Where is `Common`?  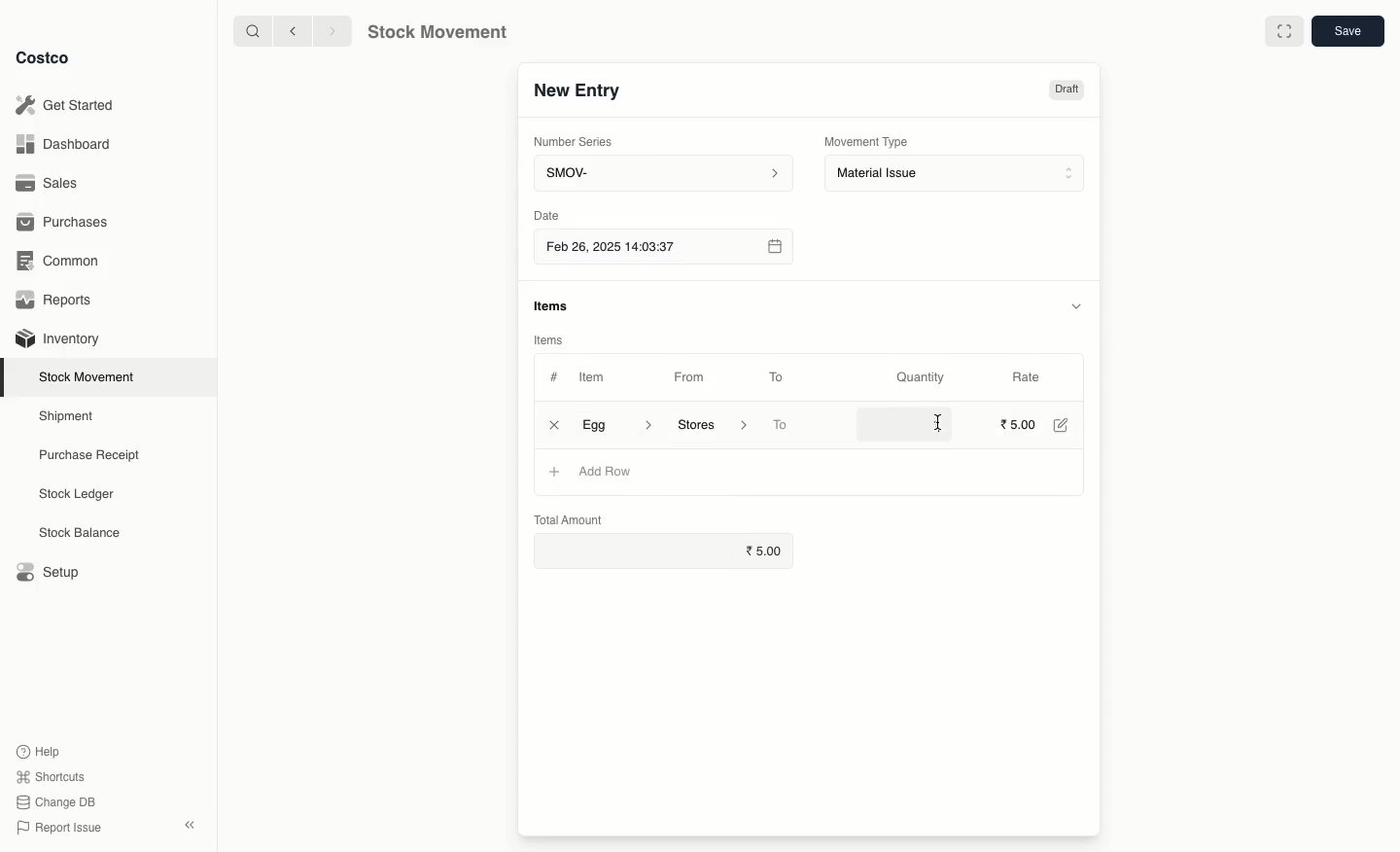
Common is located at coordinates (63, 263).